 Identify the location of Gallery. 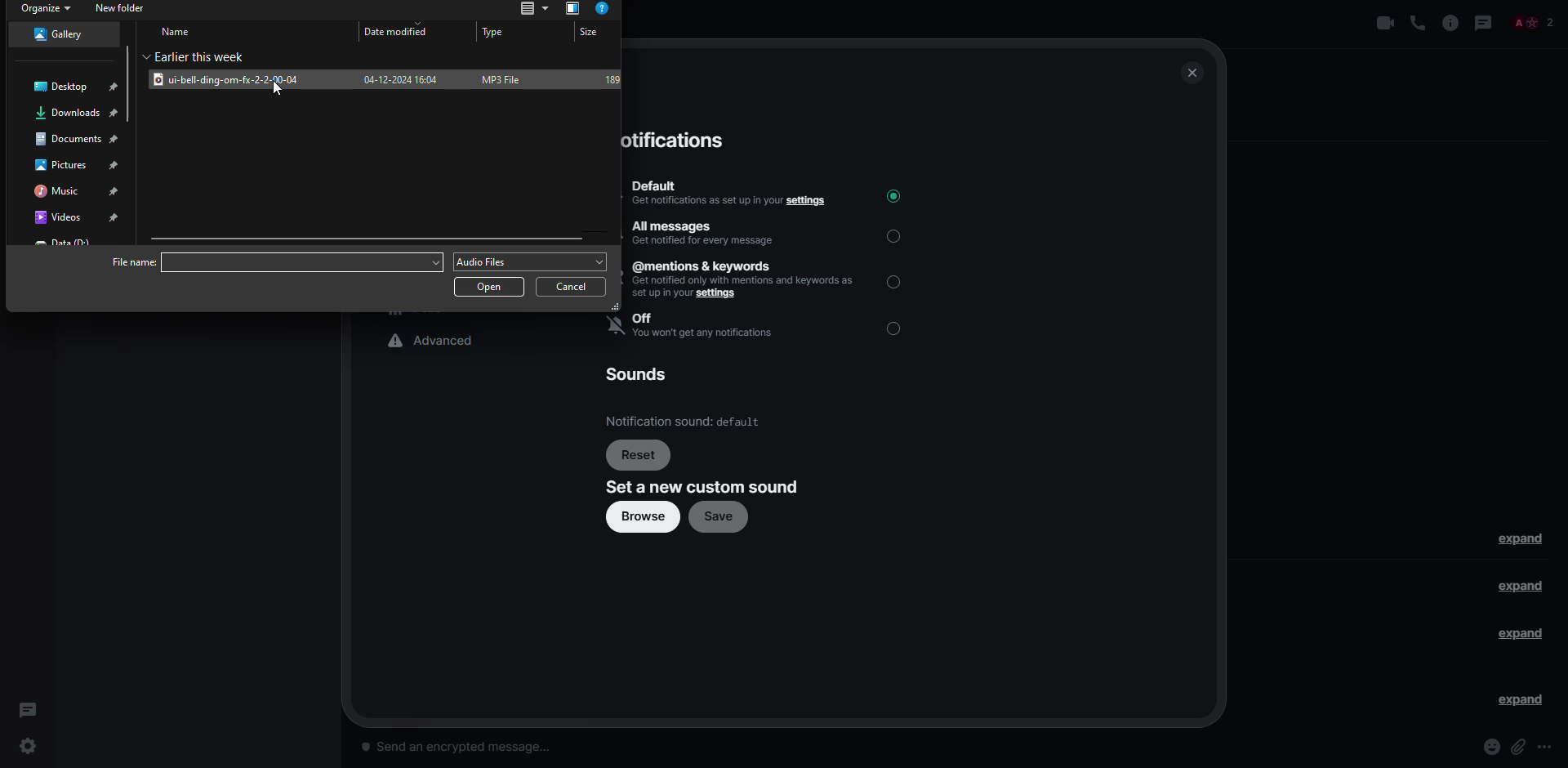
(64, 35).